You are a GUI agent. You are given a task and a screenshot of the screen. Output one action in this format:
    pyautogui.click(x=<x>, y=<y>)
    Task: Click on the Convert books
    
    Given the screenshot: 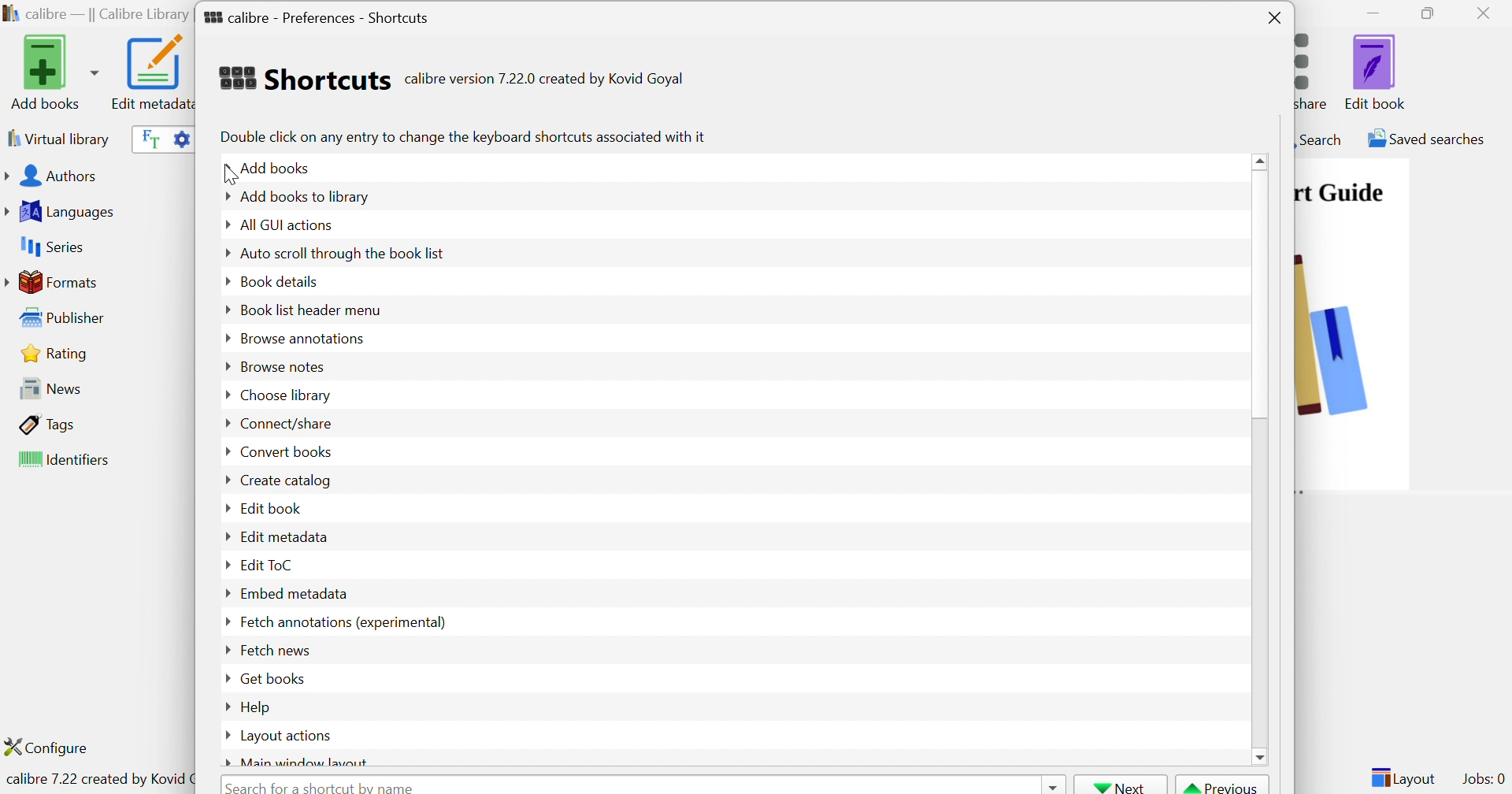 What is the action you would take?
    pyautogui.click(x=284, y=451)
    